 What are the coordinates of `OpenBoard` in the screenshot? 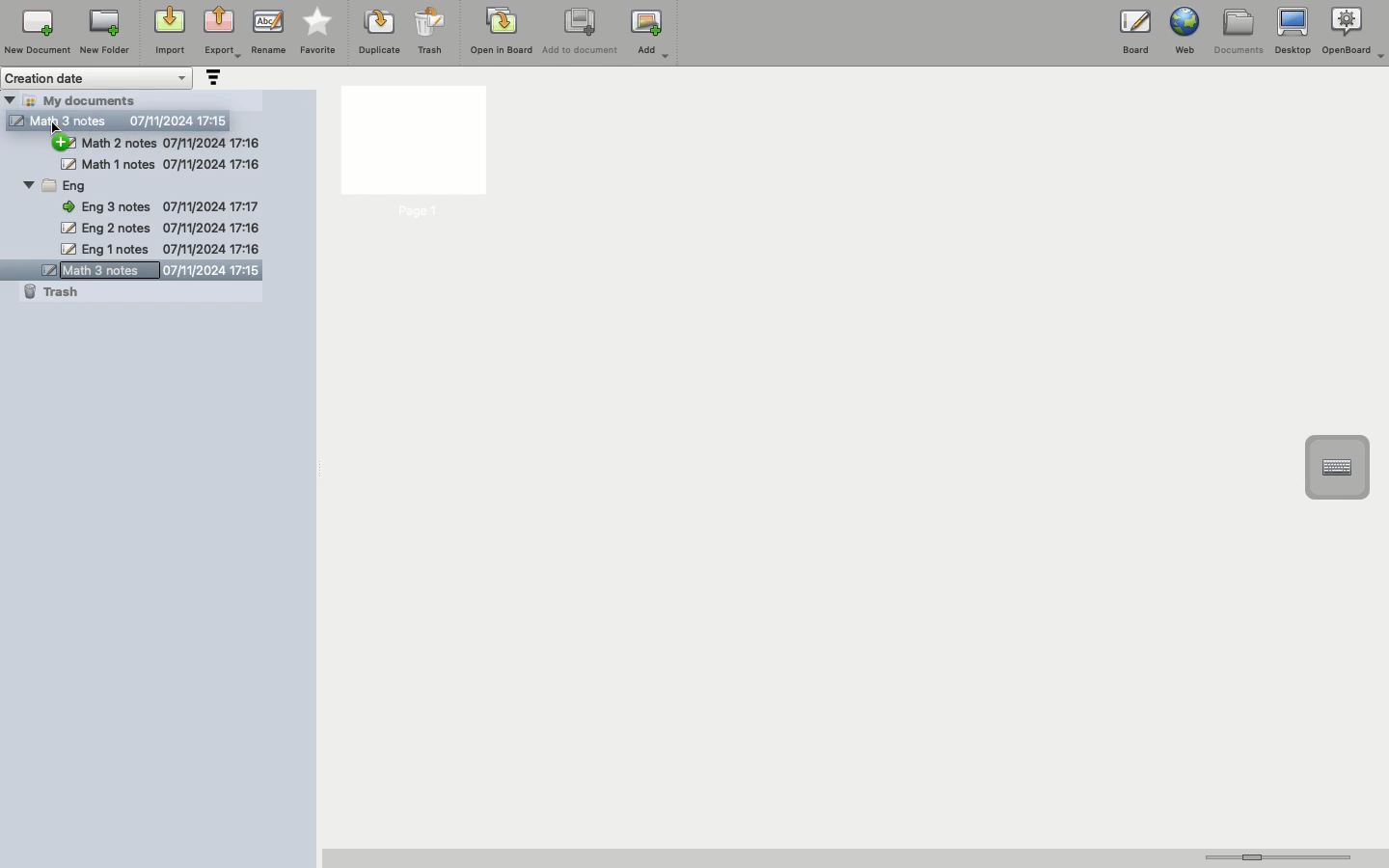 It's located at (1355, 31).